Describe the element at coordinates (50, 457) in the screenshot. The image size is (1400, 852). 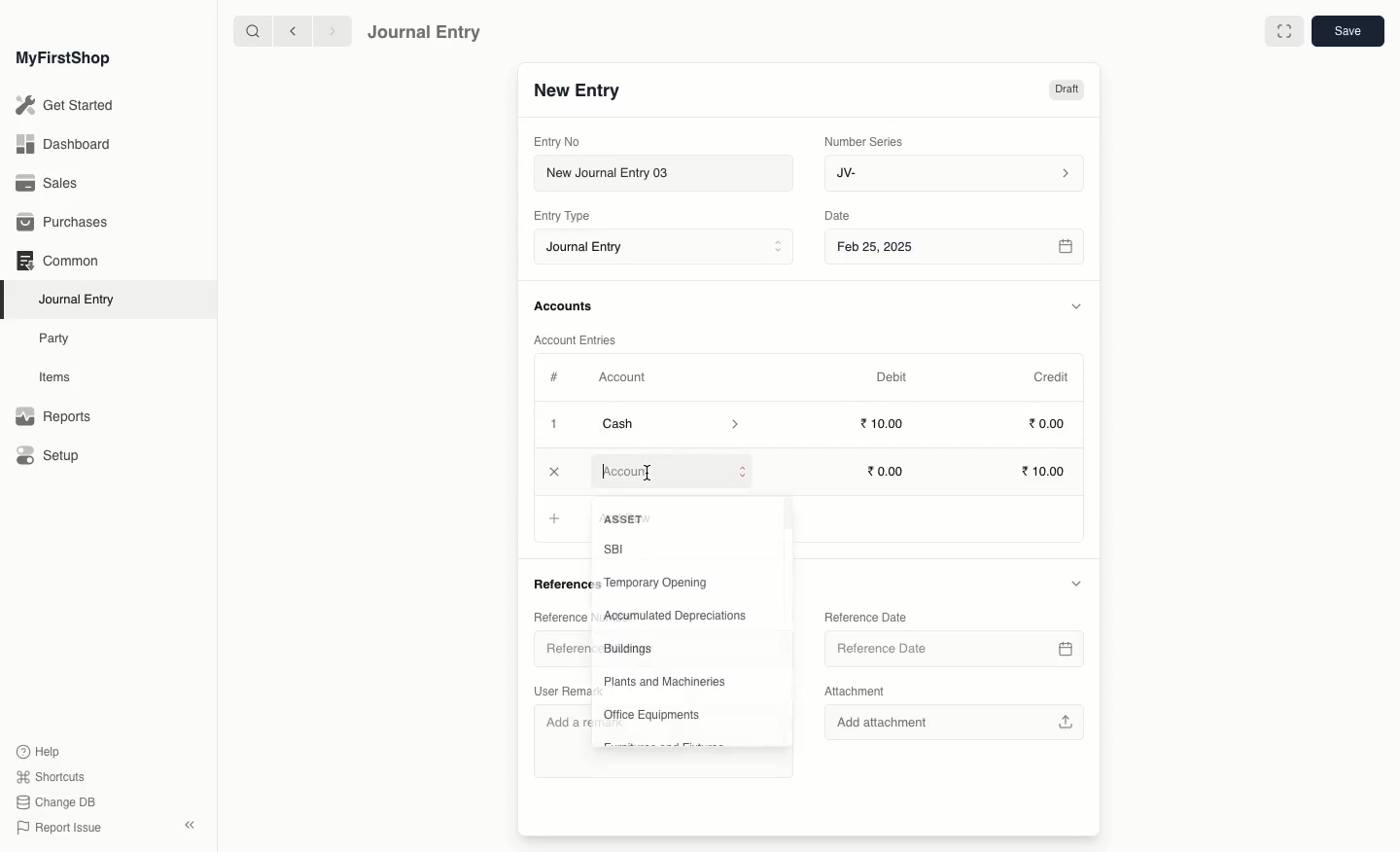
I see `Setup` at that location.